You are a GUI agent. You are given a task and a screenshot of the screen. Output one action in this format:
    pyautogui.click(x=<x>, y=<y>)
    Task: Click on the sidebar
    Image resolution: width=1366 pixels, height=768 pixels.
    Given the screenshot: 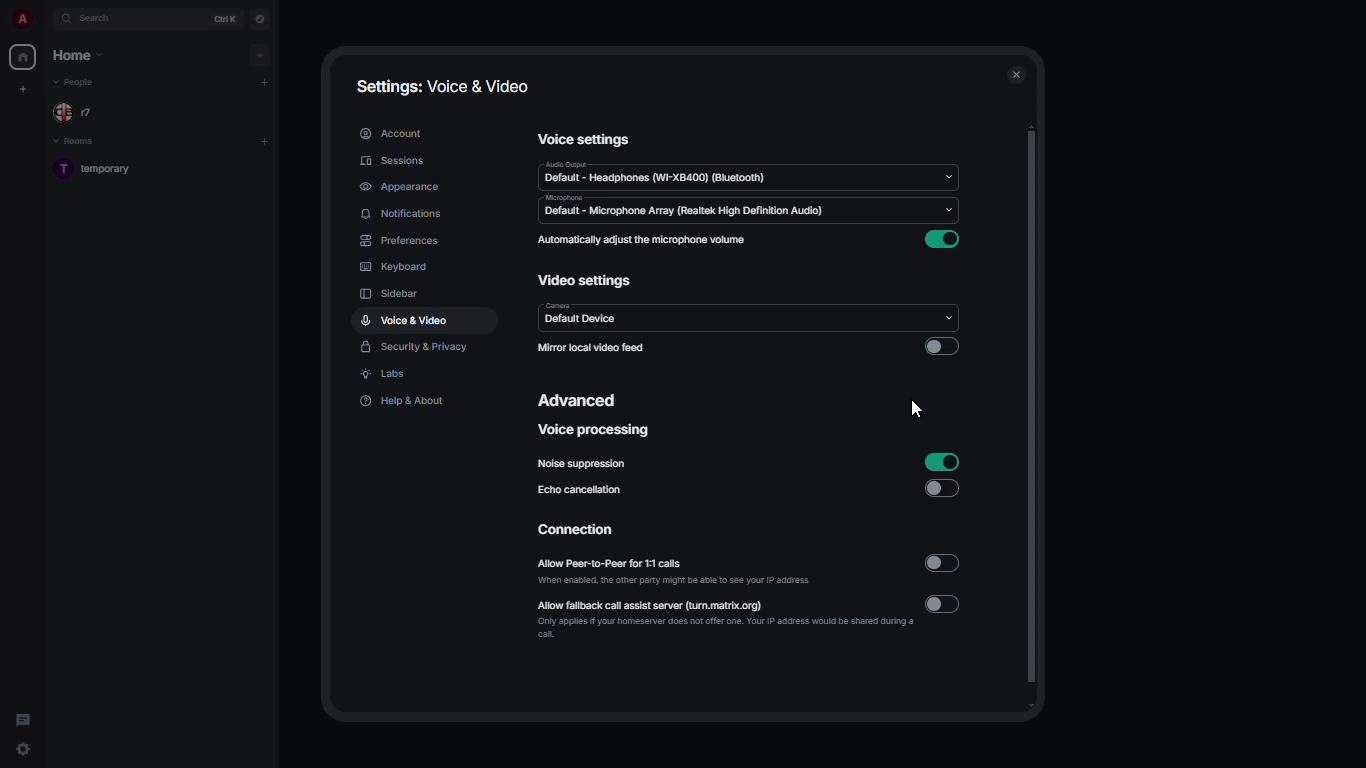 What is the action you would take?
    pyautogui.click(x=389, y=295)
    